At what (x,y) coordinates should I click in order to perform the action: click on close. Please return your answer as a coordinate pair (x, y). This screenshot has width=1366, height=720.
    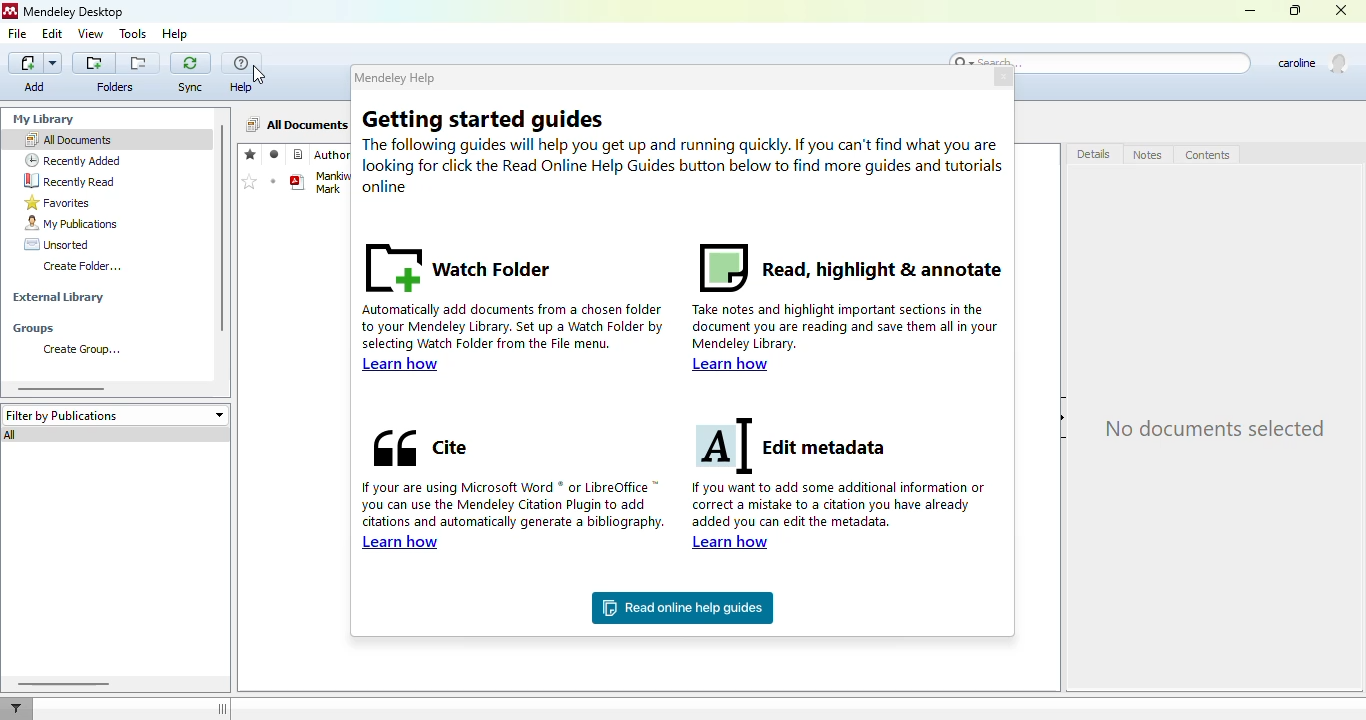
    Looking at the image, I should click on (1004, 77).